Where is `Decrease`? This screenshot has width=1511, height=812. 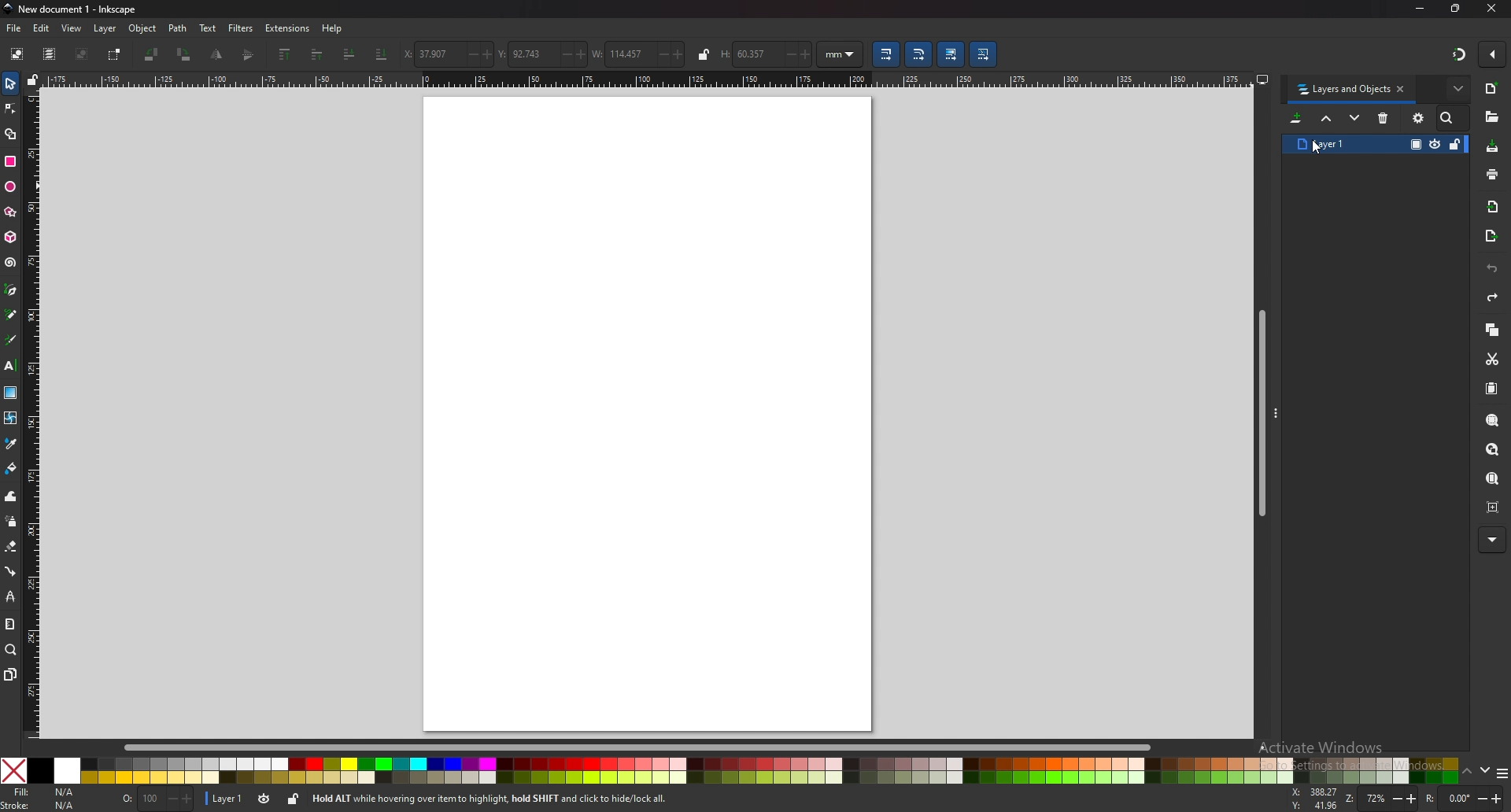
Decrease is located at coordinates (787, 54).